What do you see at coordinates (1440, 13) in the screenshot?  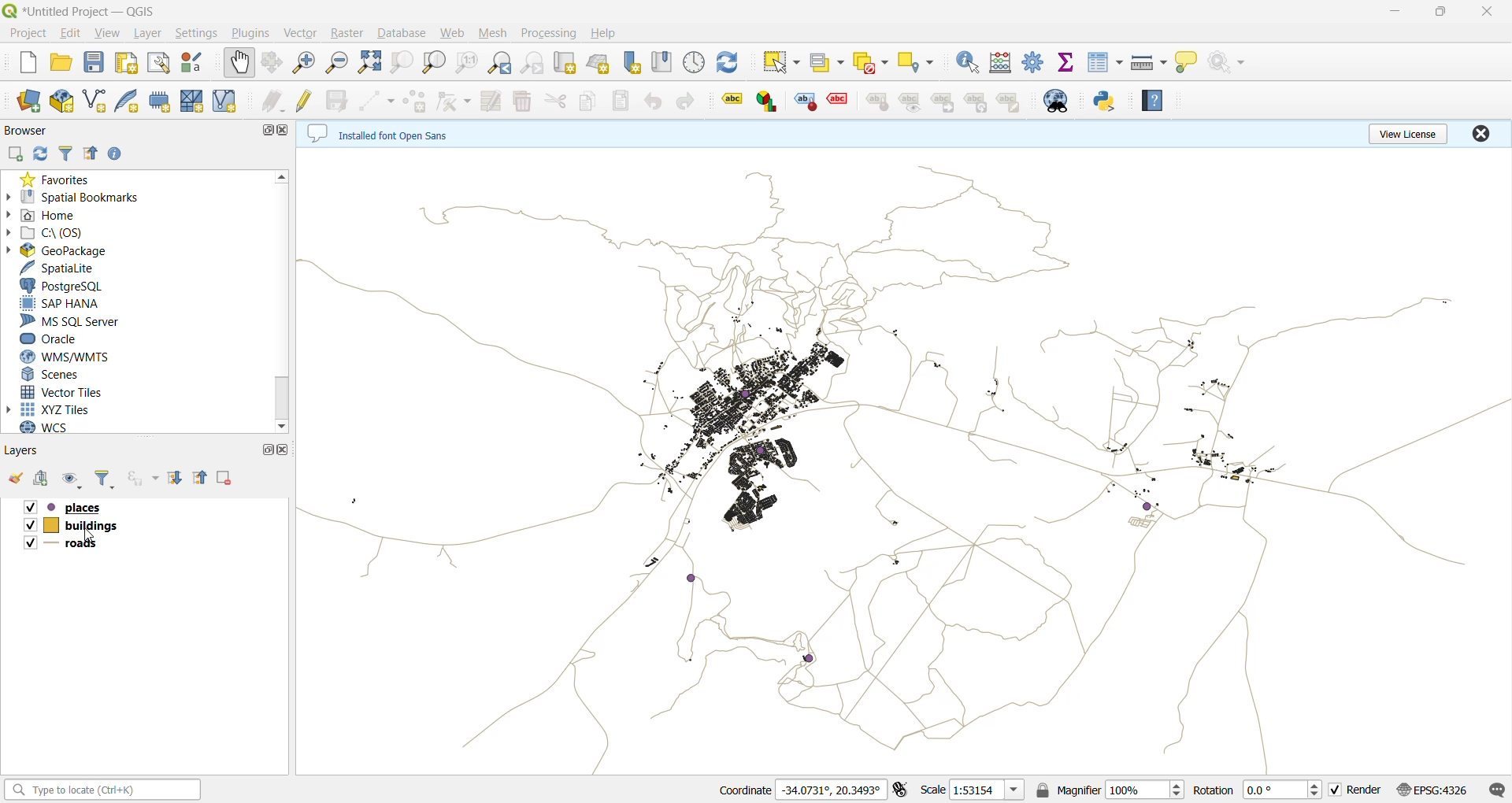 I see `maximize` at bounding box center [1440, 13].